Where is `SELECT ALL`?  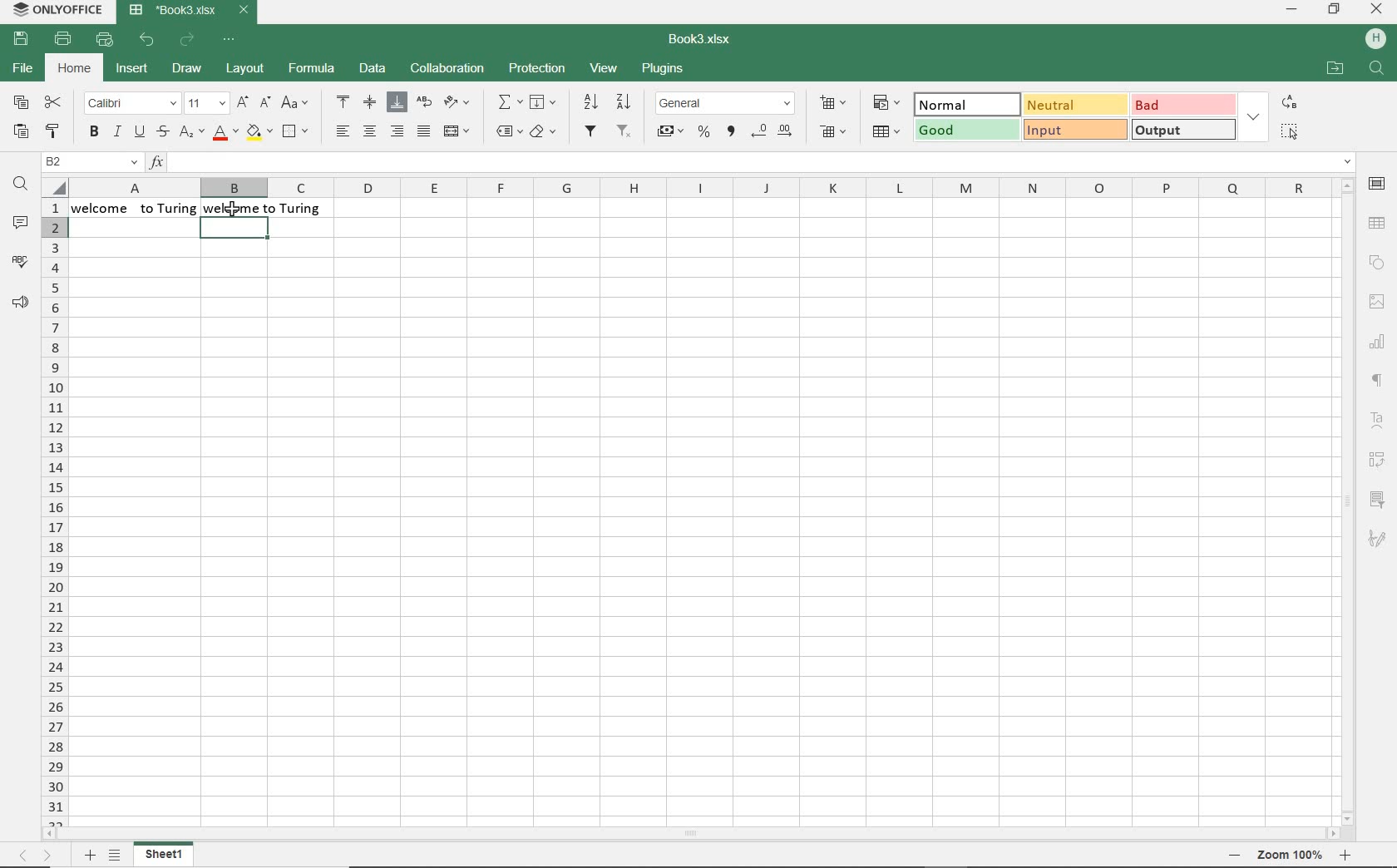
SELECT ALL is located at coordinates (1290, 132).